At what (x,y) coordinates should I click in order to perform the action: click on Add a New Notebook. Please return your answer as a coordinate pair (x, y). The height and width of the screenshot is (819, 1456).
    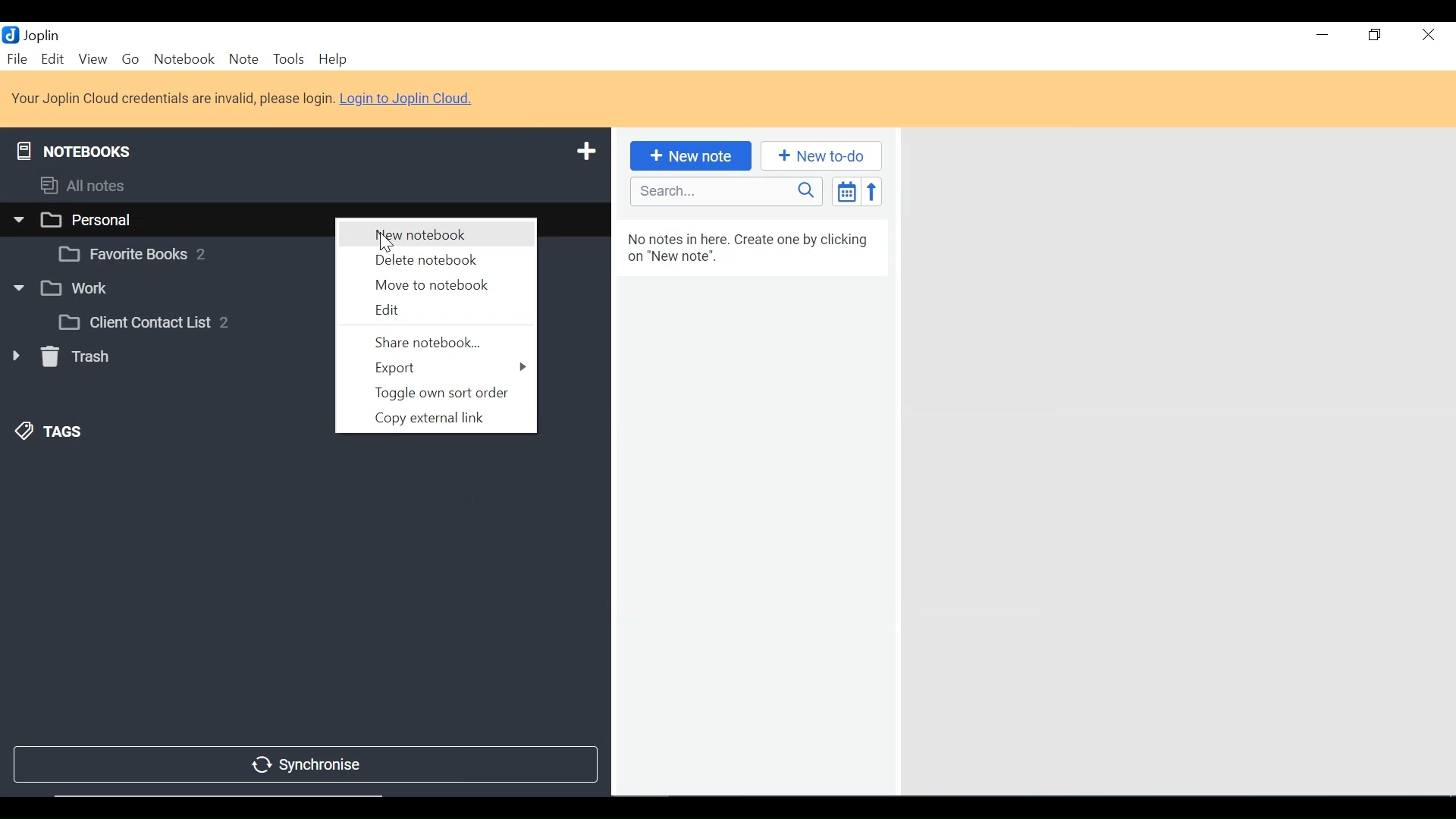
    Looking at the image, I should click on (589, 149).